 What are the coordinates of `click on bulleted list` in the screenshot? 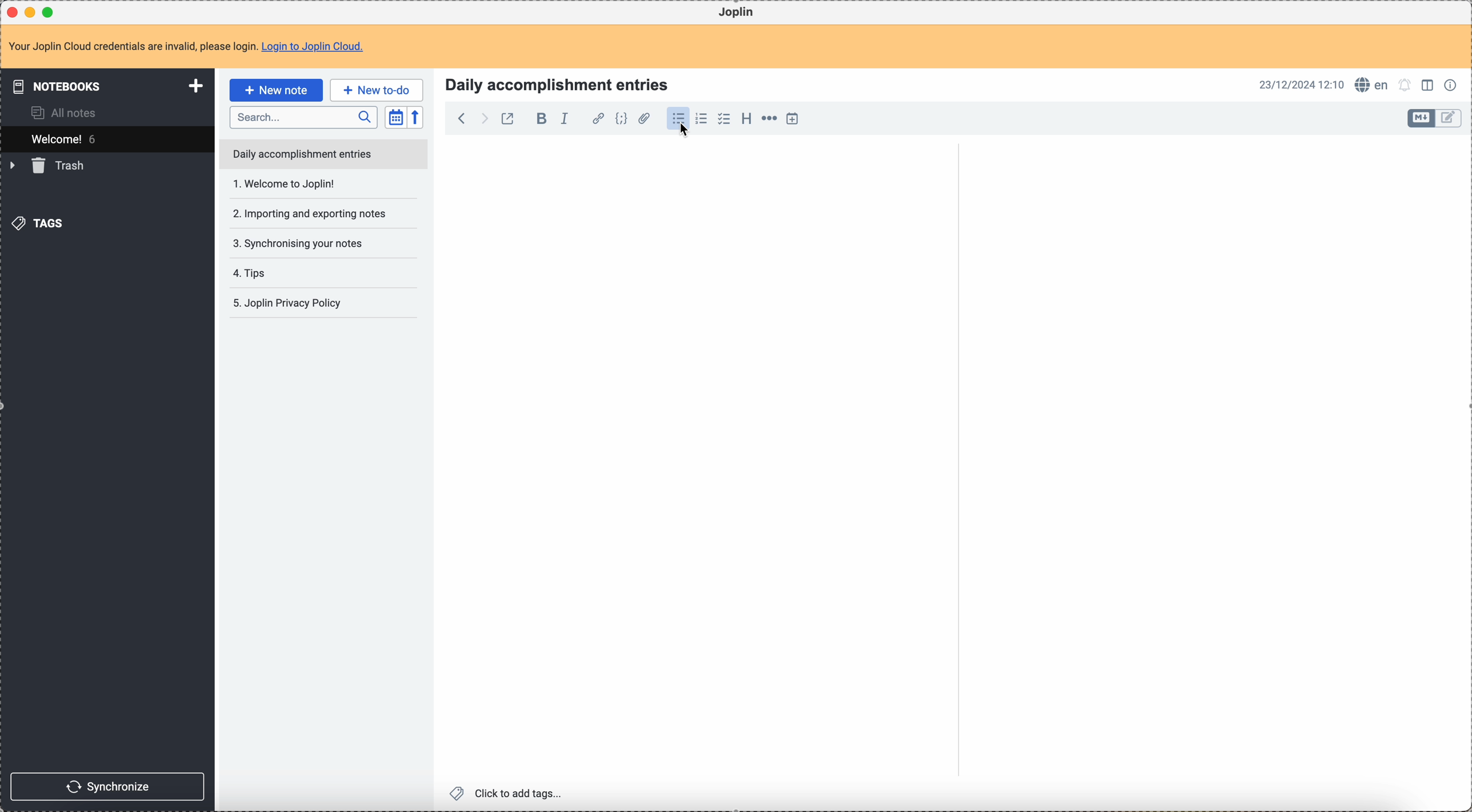 It's located at (681, 123).